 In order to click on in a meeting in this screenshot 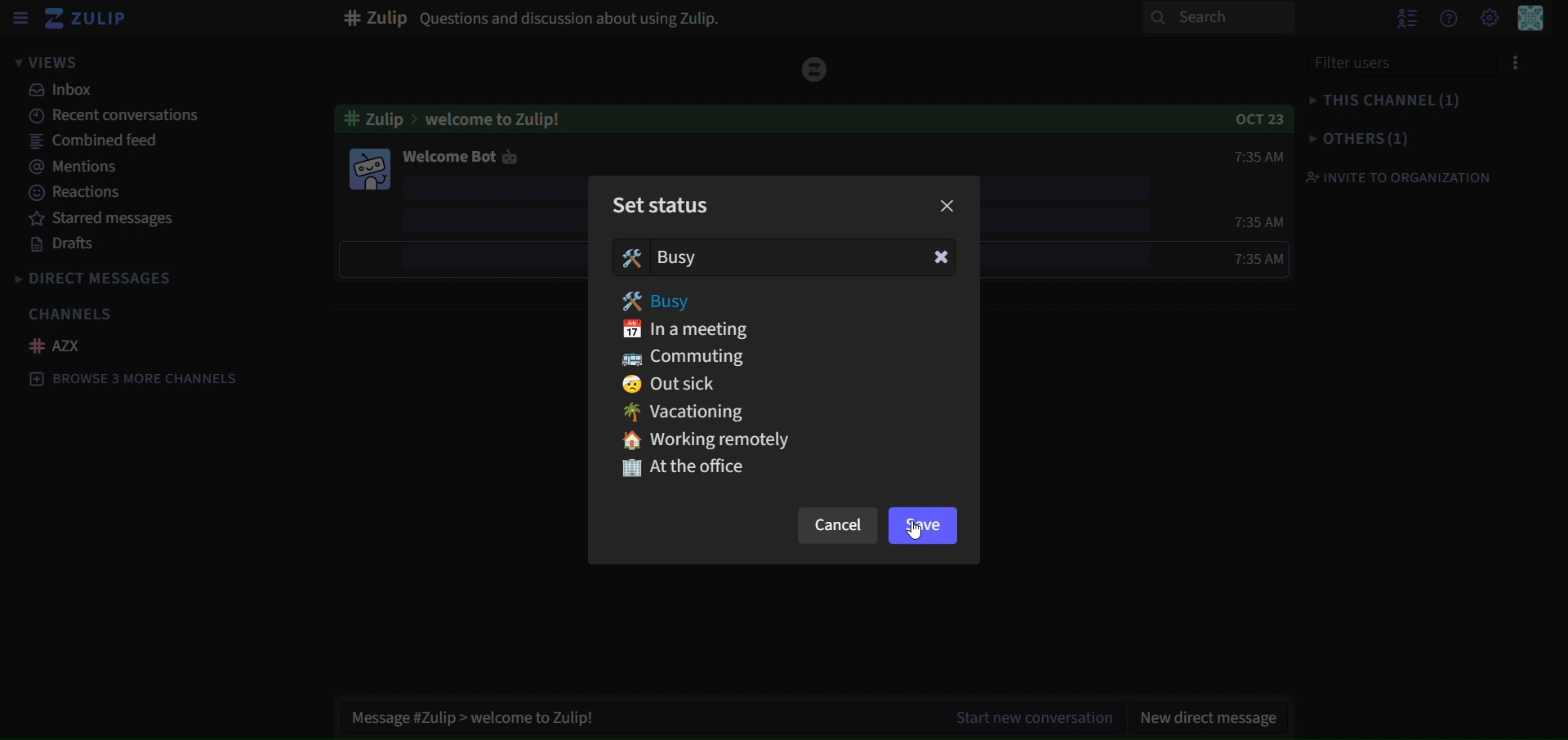, I will do `click(697, 330)`.